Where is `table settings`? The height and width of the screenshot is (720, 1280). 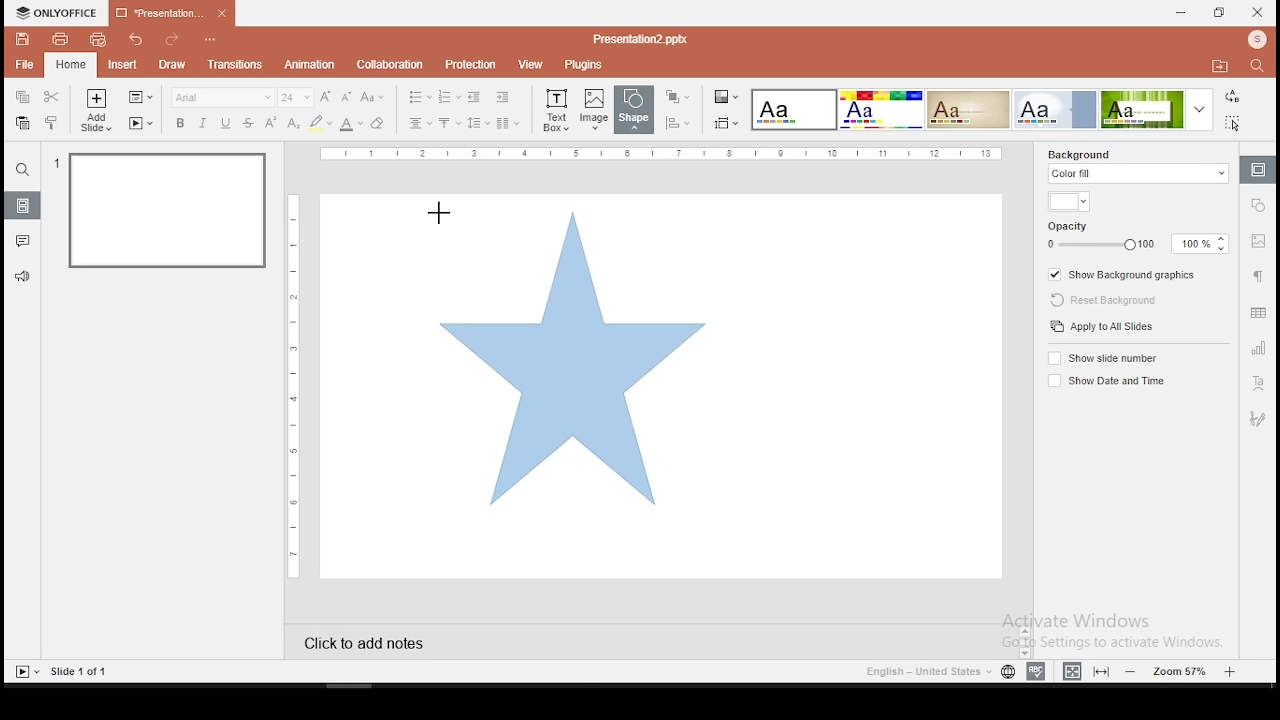
table settings is located at coordinates (1258, 312).